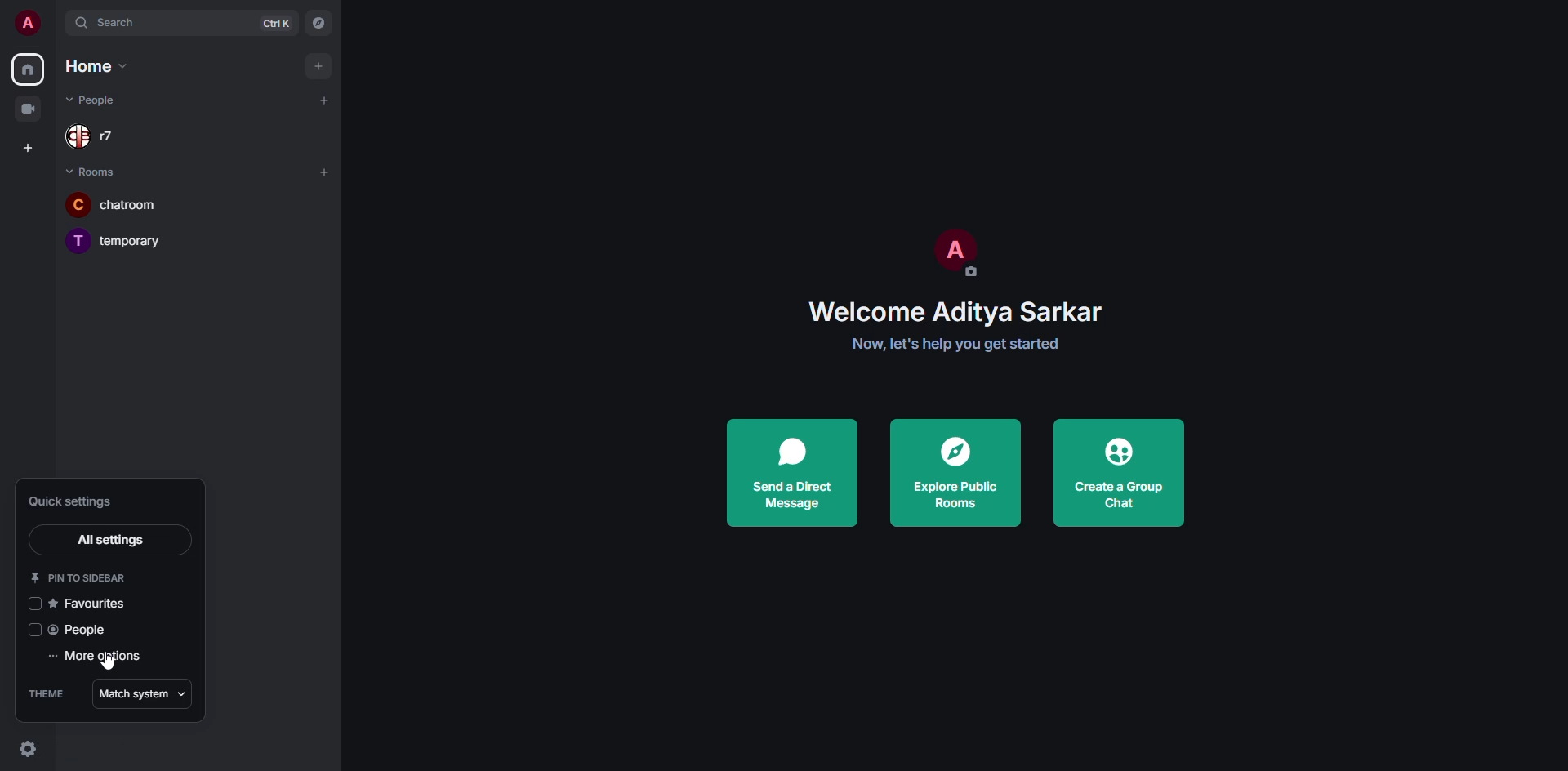 This screenshot has width=1568, height=771. Describe the element at coordinates (1115, 472) in the screenshot. I see `create a group chat` at that location.